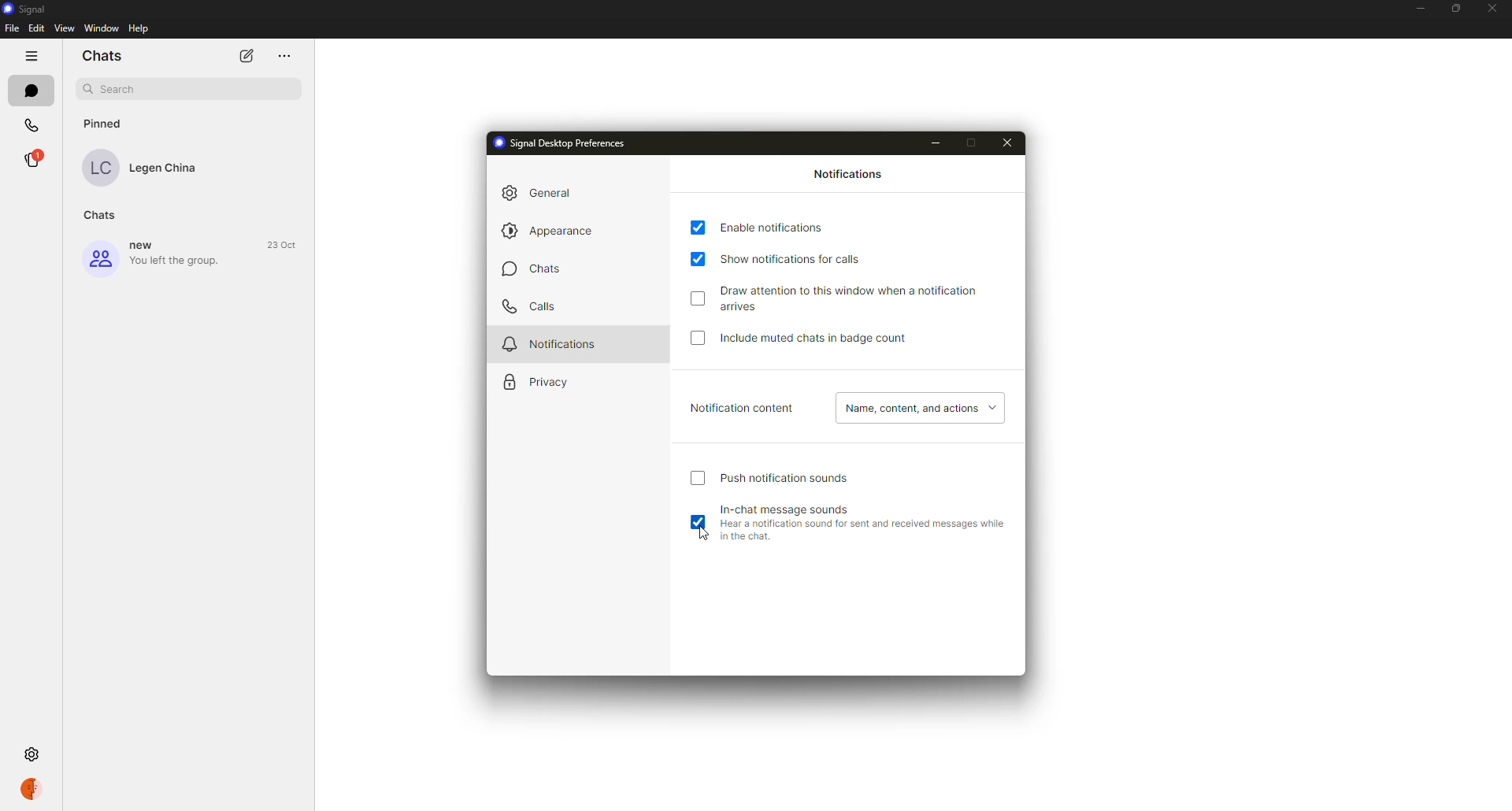  What do you see at coordinates (697, 298) in the screenshot?
I see `tap to select` at bounding box center [697, 298].